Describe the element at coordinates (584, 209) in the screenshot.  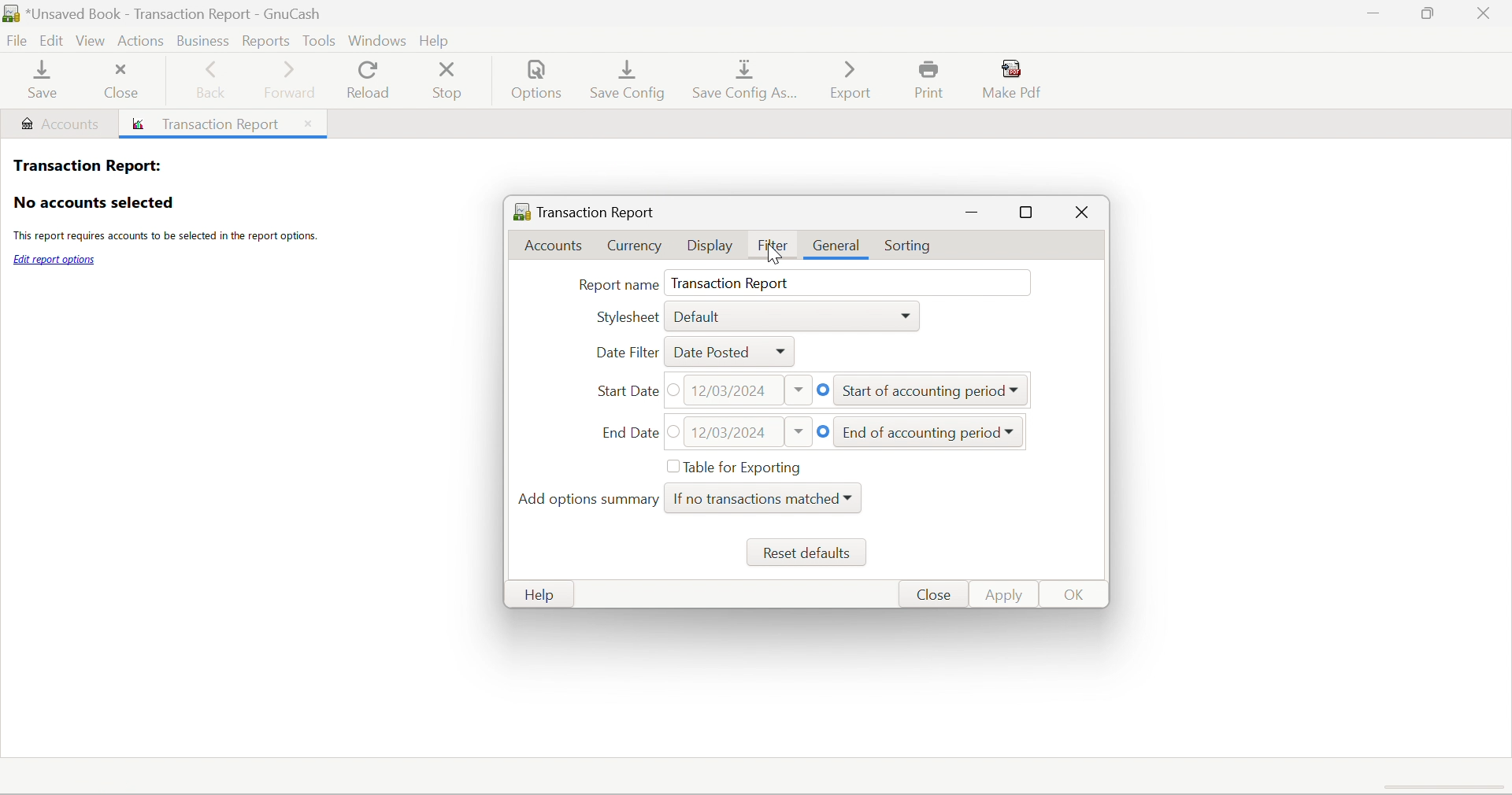
I see `Transaction Report` at that location.